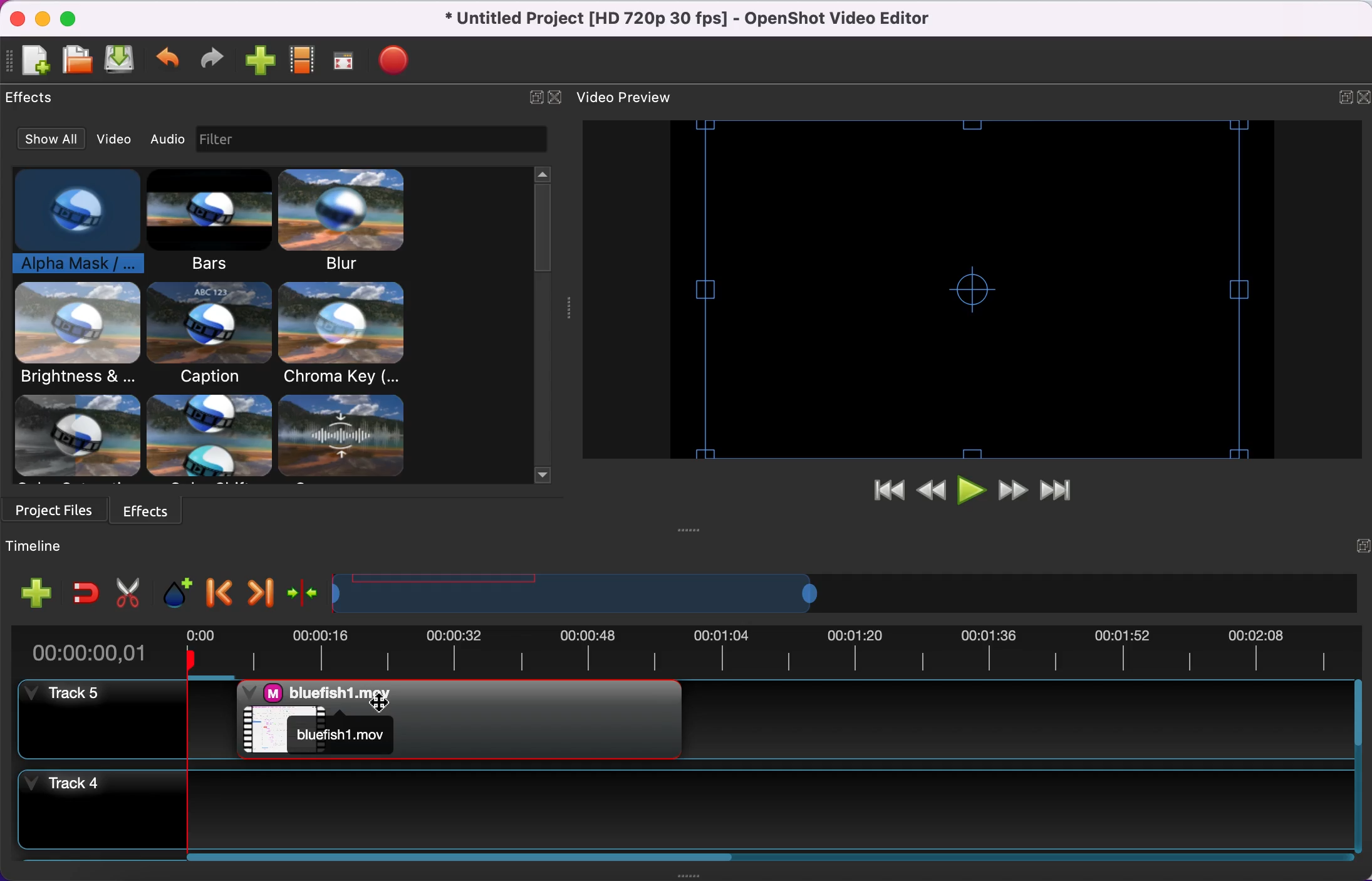  I want to click on cut, so click(127, 591).